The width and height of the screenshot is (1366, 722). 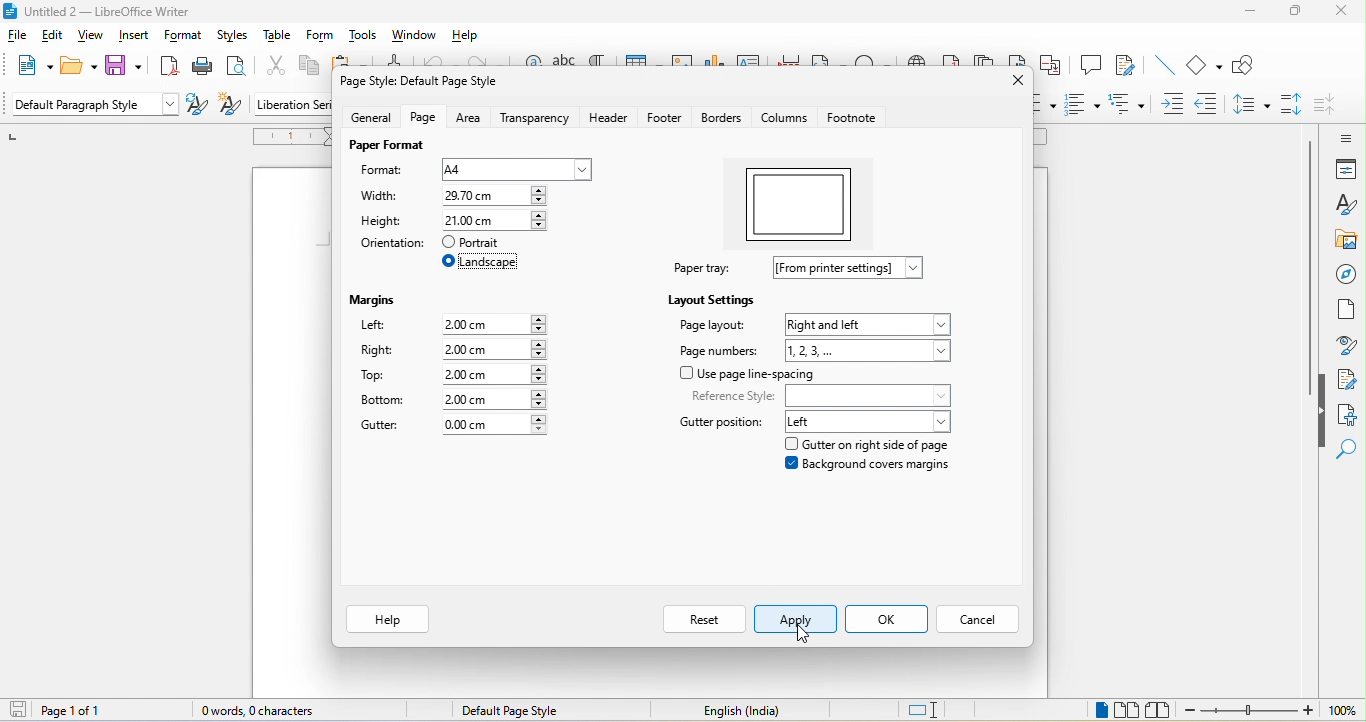 What do you see at coordinates (374, 325) in the screenshot?
I see `left` at bounding box center [374, 325].